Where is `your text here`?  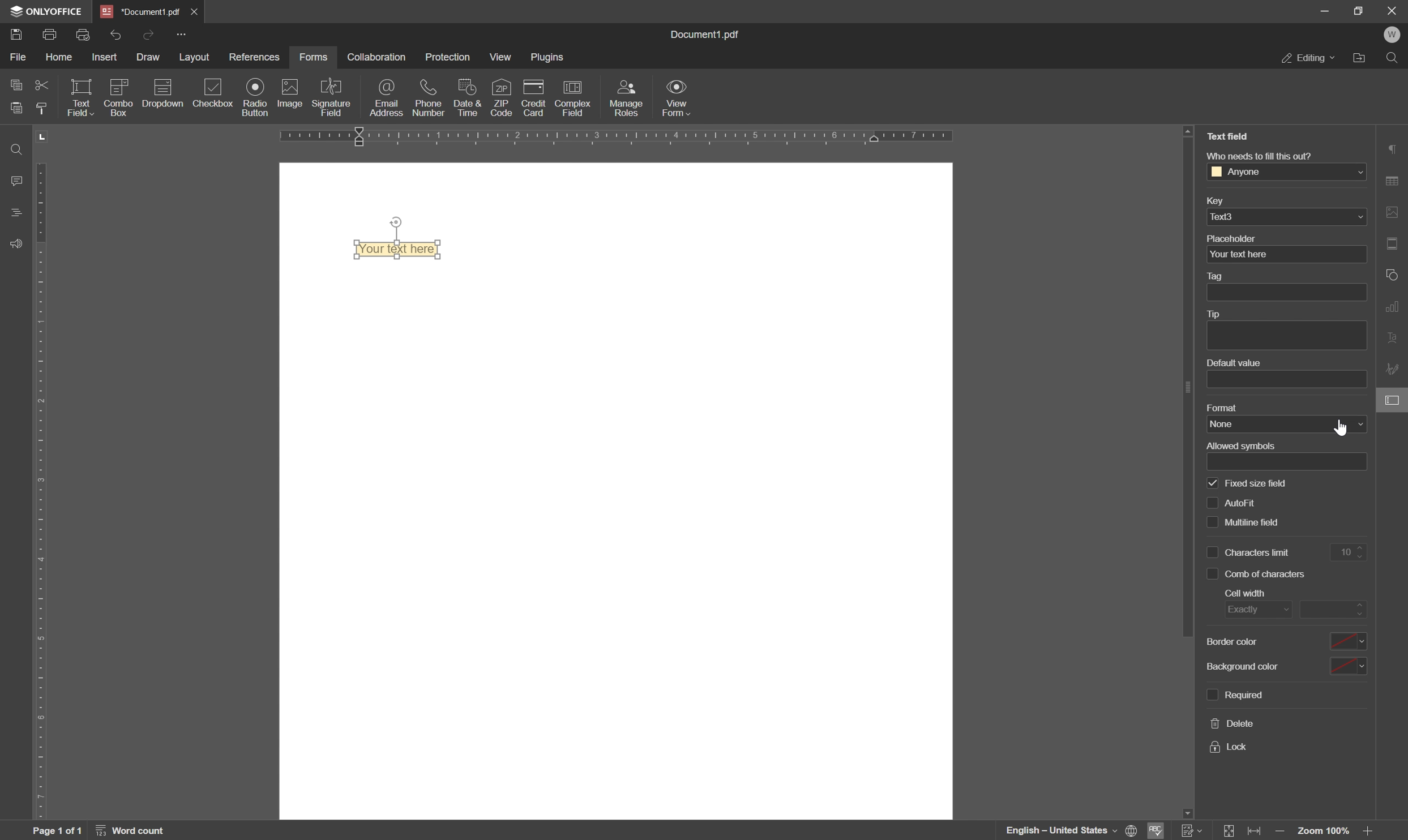 your text here is located at coordinates (1238, 255).